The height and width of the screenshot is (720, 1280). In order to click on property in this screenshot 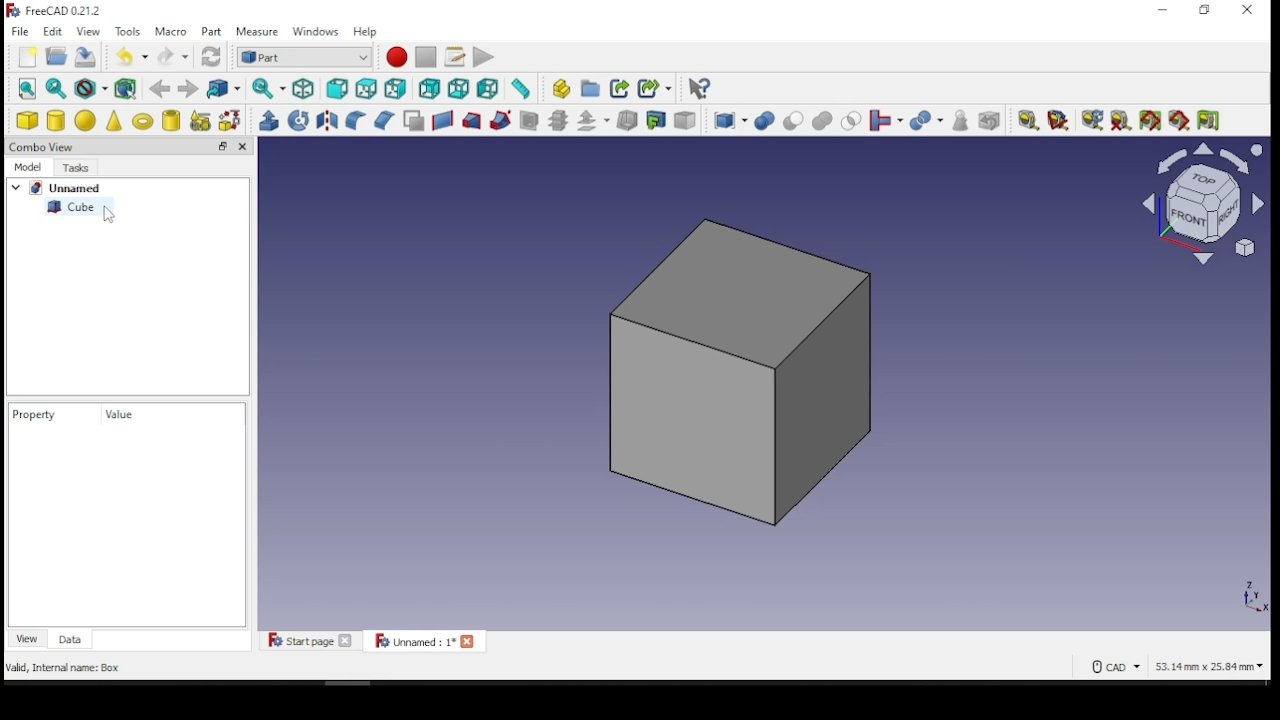, I will do `click(35, 413)`.